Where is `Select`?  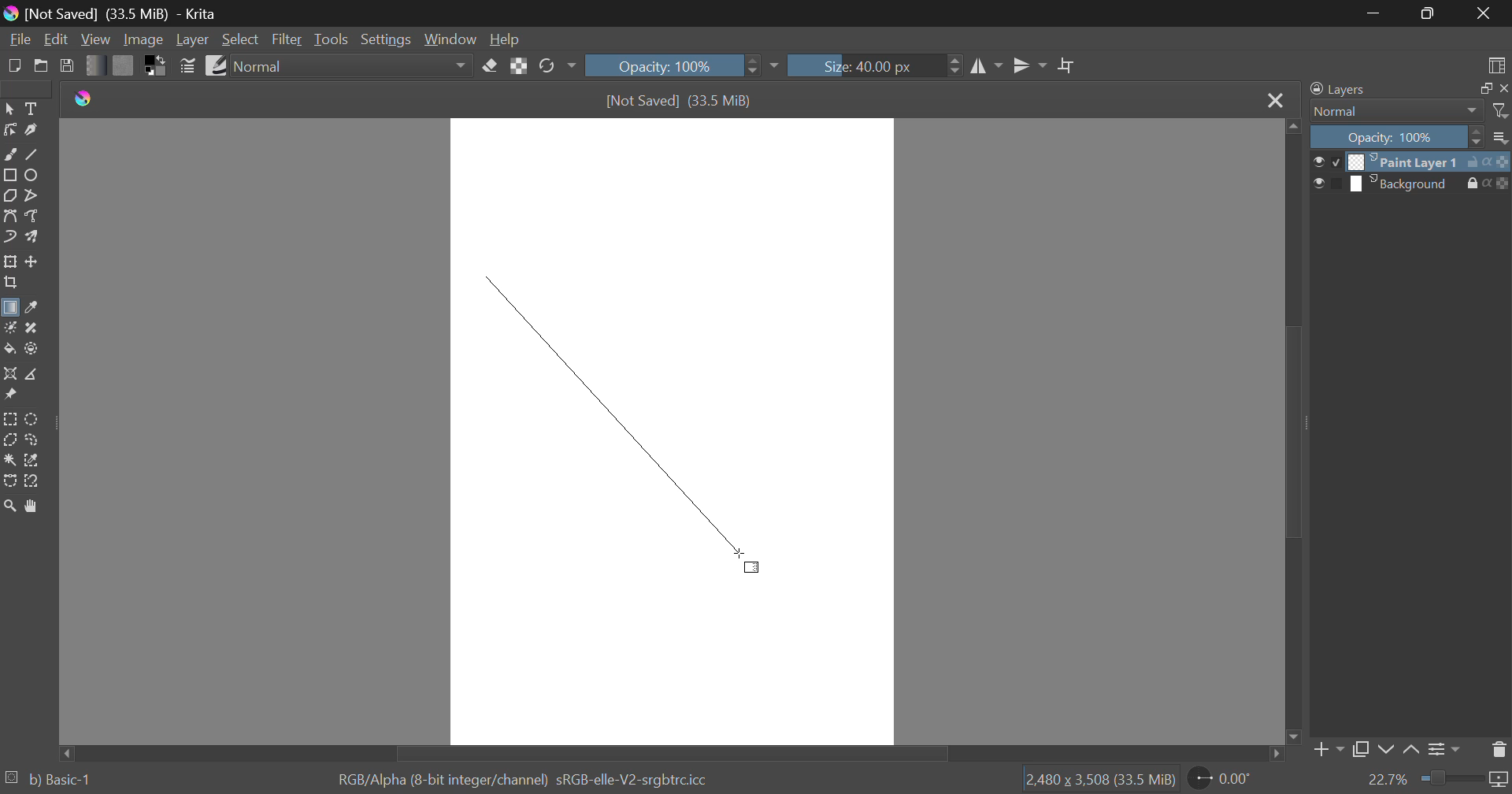 Select is located at coordinates (240, 39).